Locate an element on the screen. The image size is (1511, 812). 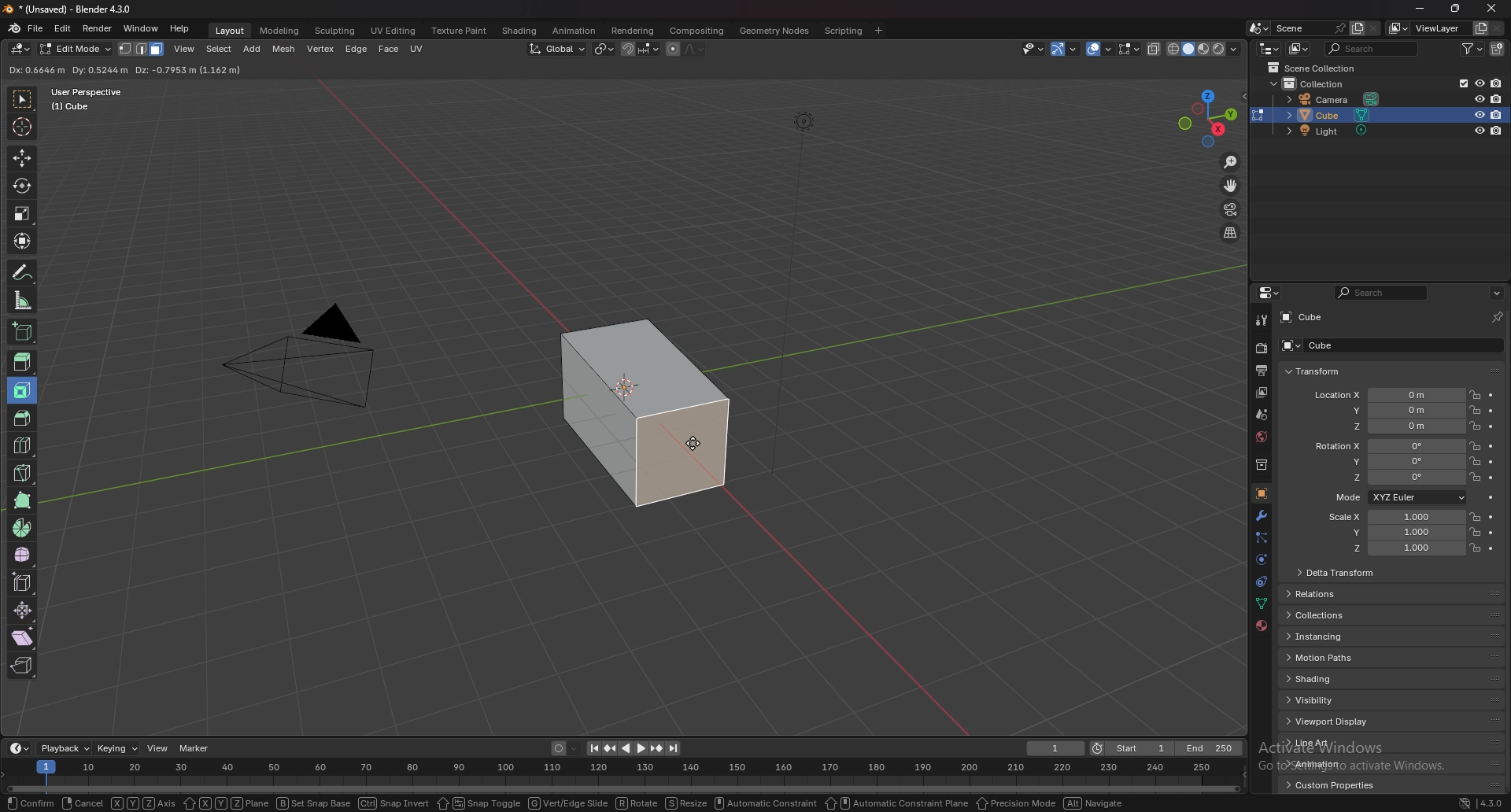
filter is located at coordinates (1471, 49).